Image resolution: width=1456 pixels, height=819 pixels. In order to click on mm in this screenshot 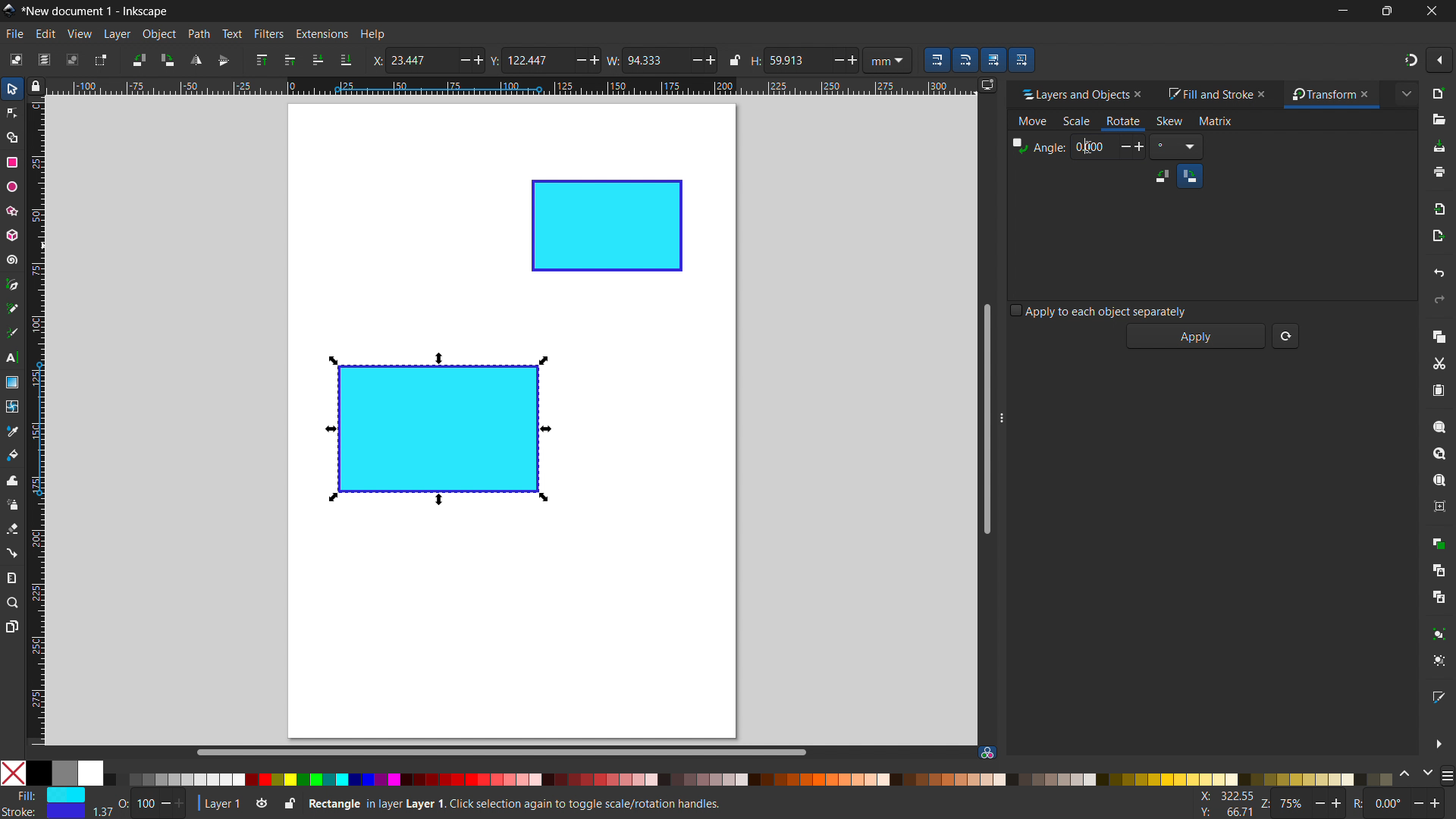, I will do `click(890, 59)`.